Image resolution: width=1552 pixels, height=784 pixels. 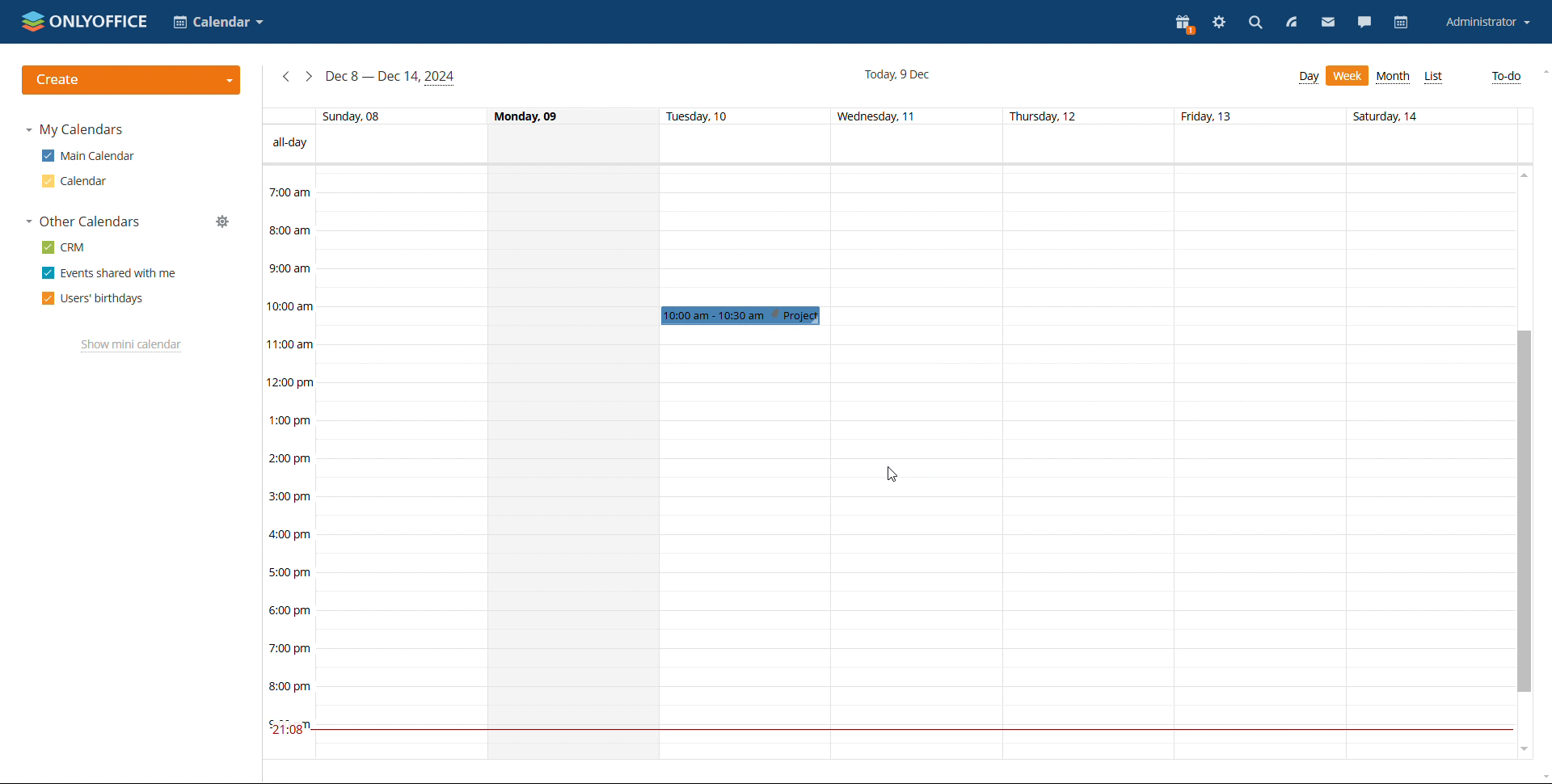 I want to click on show mini calendar, so click(x=131, y=346).